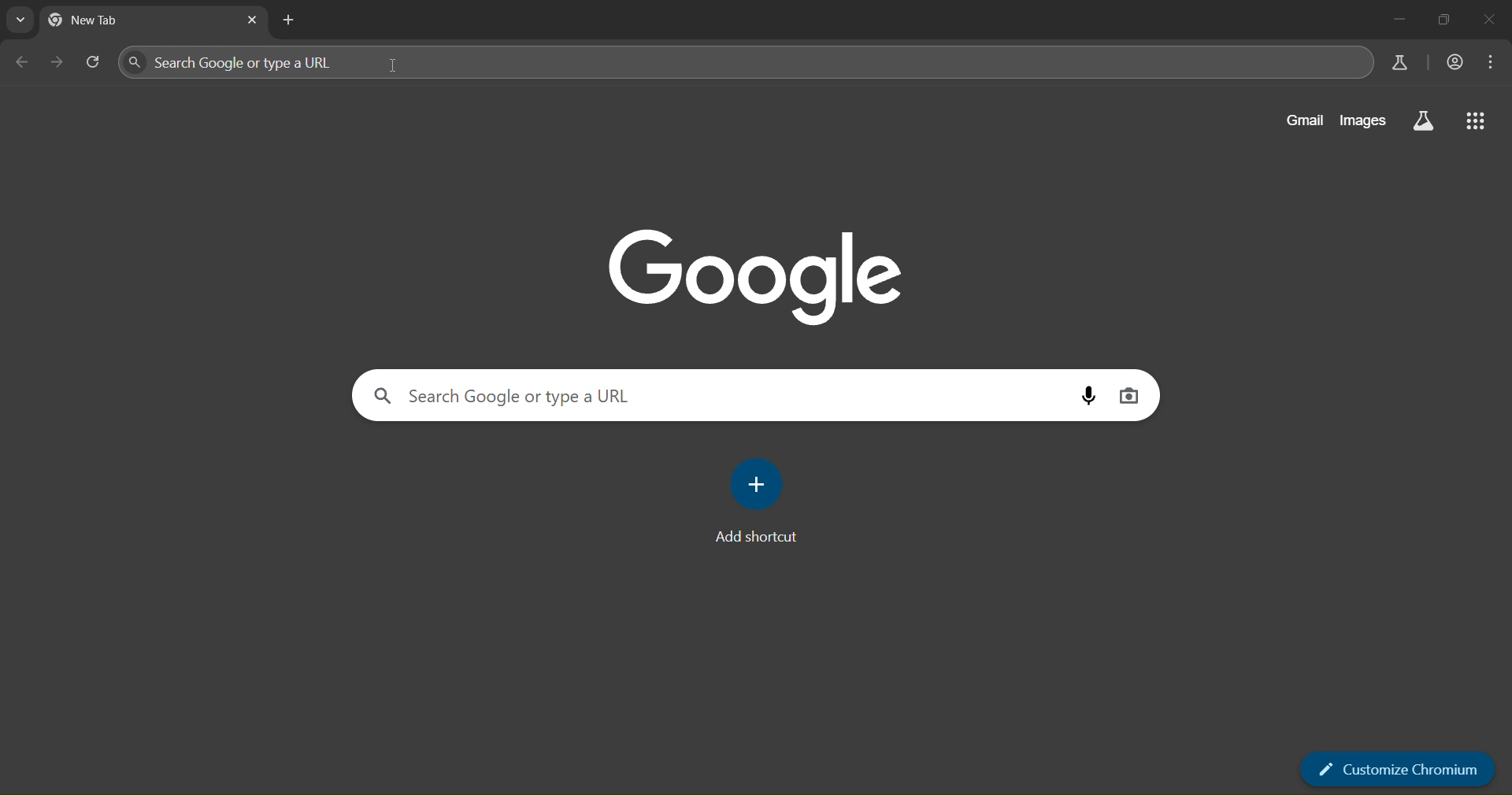 The width and height of the screenshot is (1512, 795). What do you see at coordinates (93, 62) in the screenshot?
I see `reload page` at bounding box center [93, 62].